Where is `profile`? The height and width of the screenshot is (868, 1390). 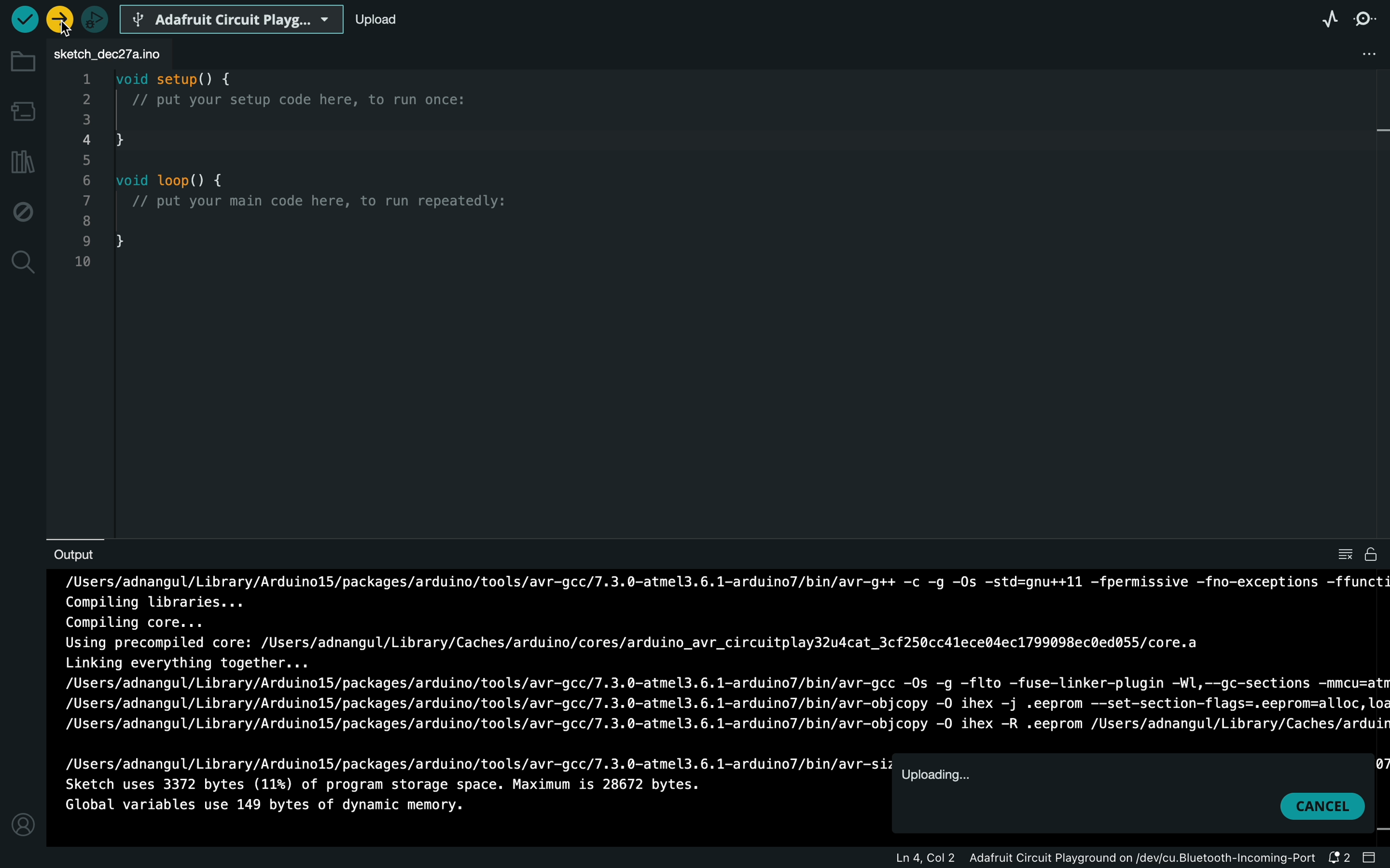 profile is located at coordinates (21, 824).